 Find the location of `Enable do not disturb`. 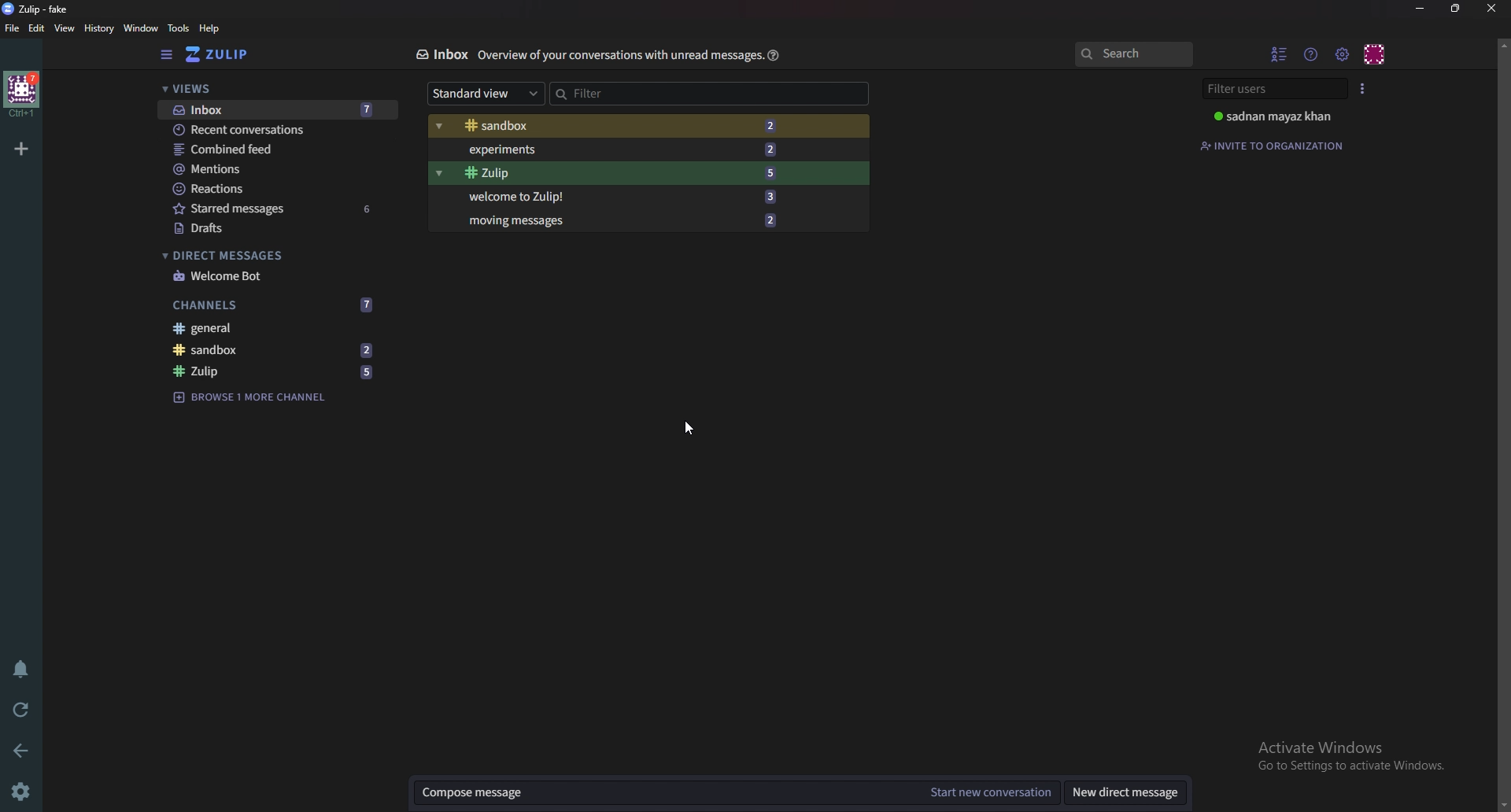

Enable do not disturb is located at coordinates (24, 666).